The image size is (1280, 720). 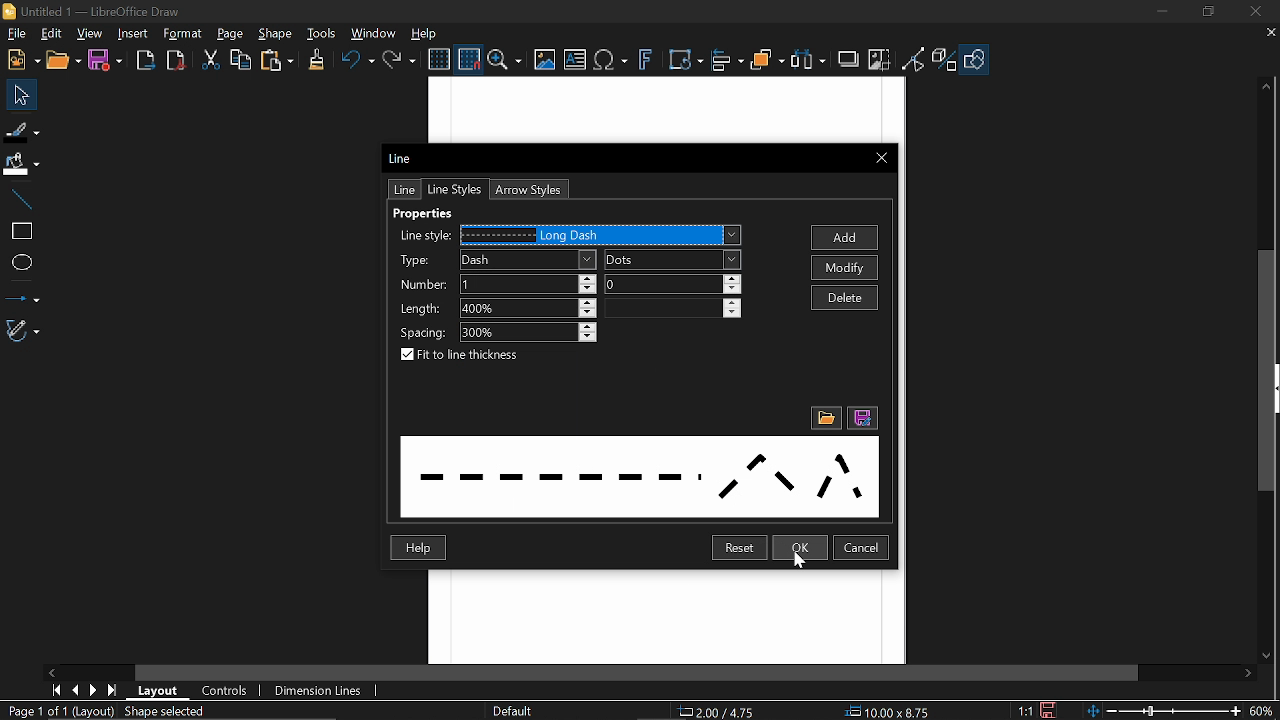 What do you see at coordinates (861, 419) in the screenshot?
I see `Save` at bounding box center [861, 419].